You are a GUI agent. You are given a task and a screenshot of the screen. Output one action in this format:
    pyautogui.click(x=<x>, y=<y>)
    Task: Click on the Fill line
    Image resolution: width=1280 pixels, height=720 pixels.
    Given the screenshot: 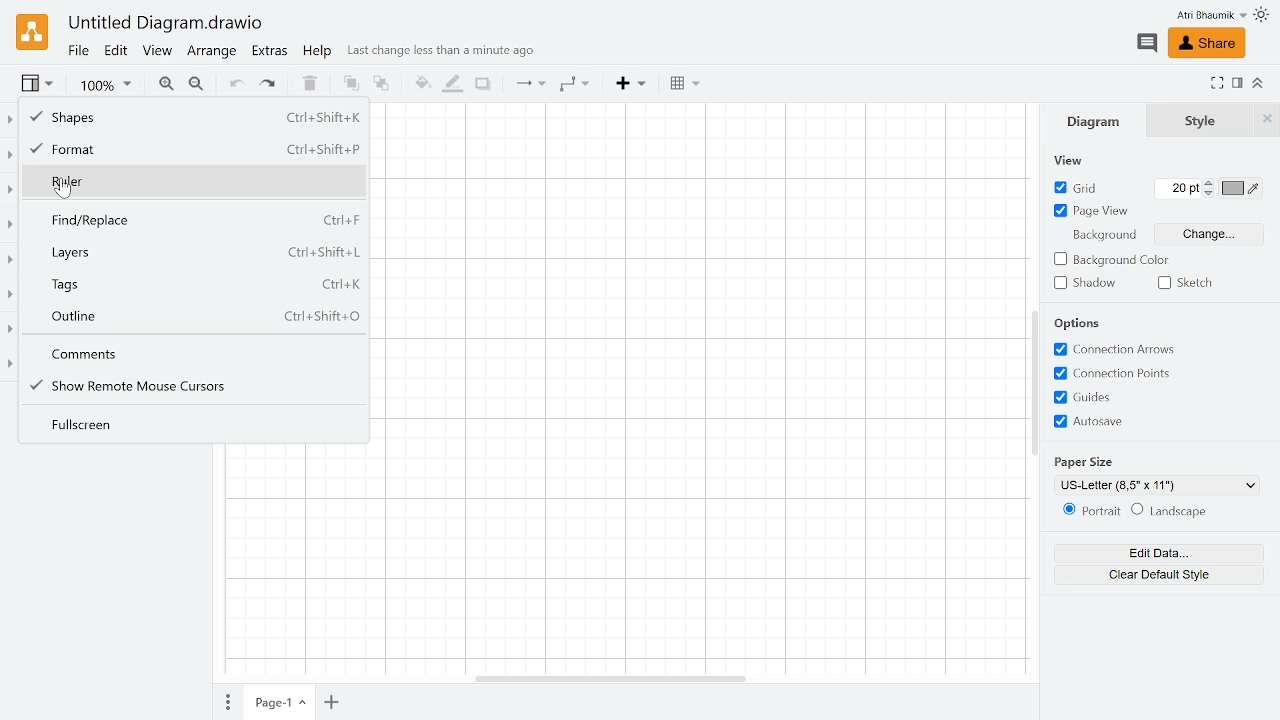 What is the action you would take?
    pyautogui.click(x=451, y=84)
    